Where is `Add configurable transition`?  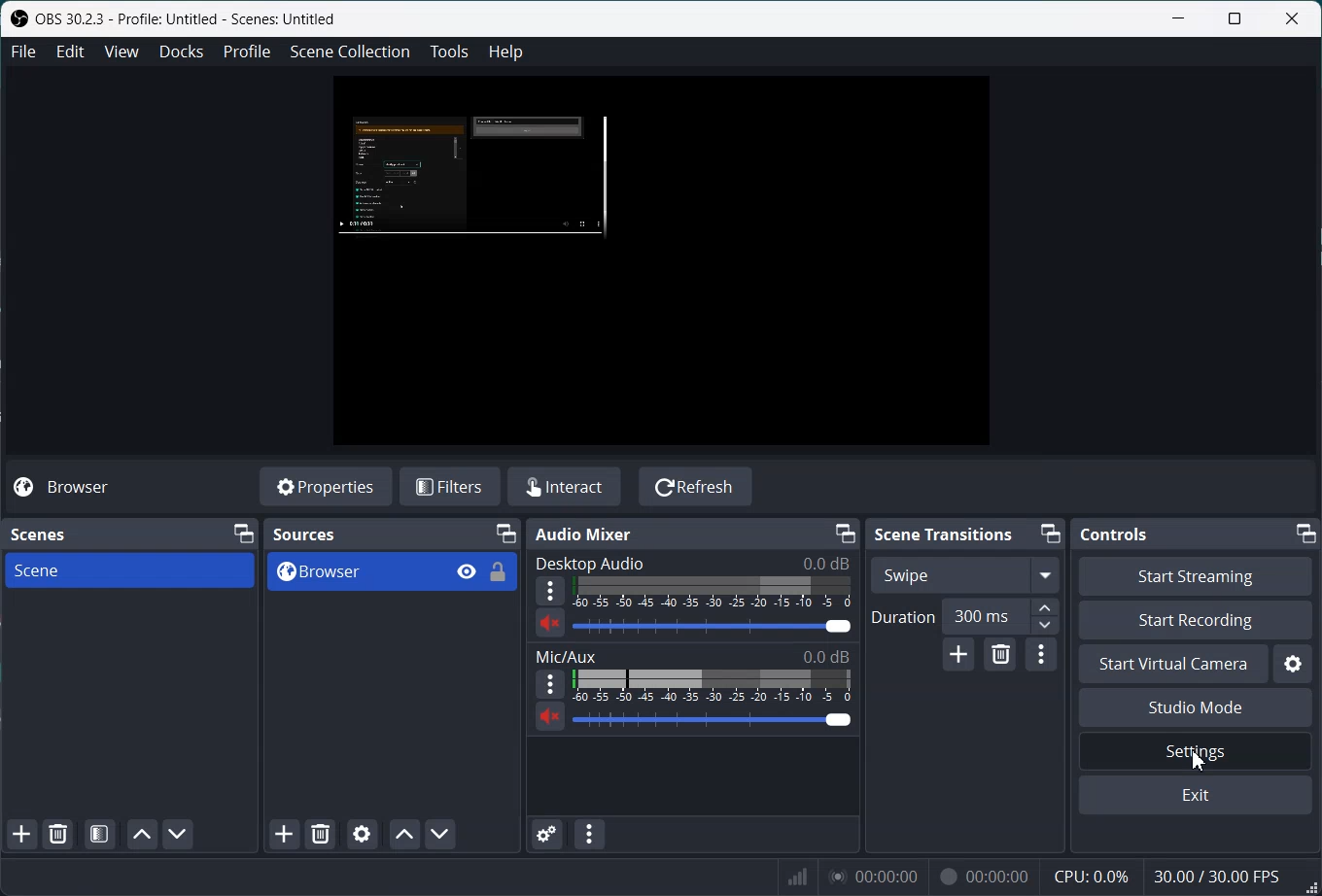 Add configurable transition is located at coordinates (957, 656).